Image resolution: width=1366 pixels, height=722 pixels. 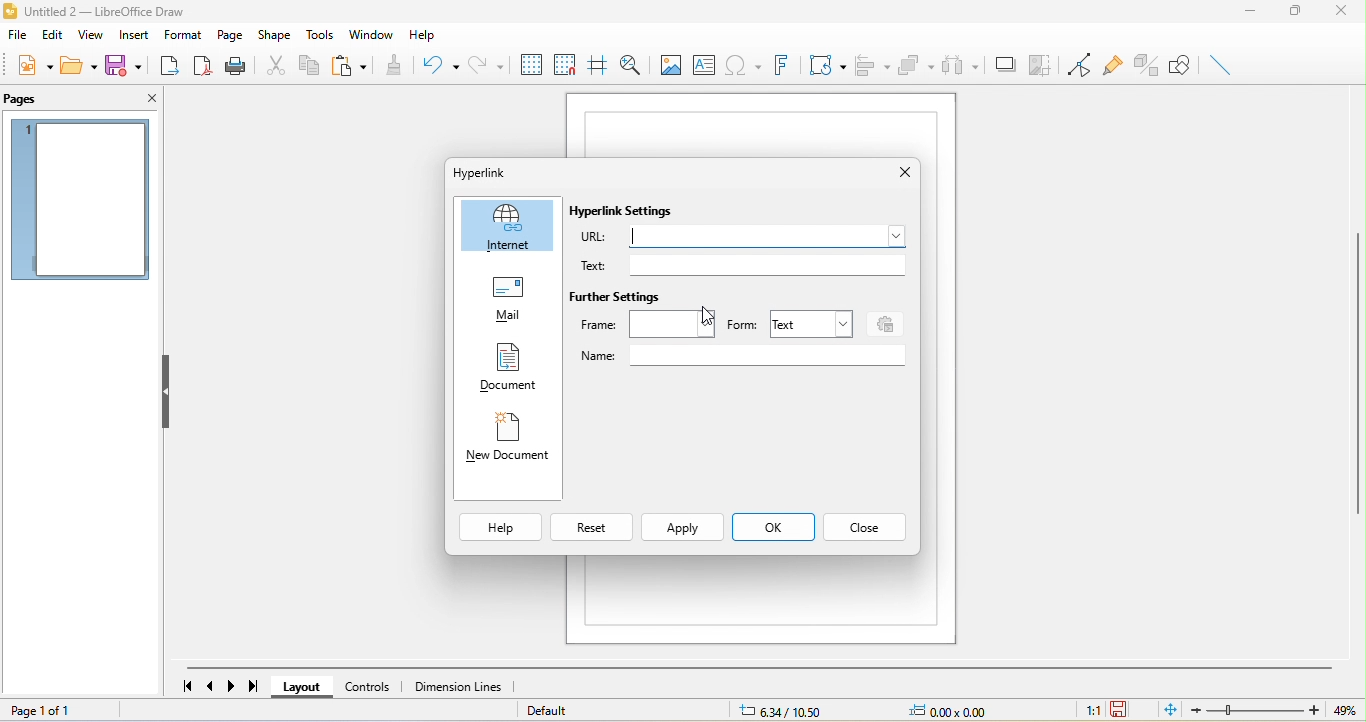 What do you see at coordinates (1346, 11) in the screenshot?
I see `close` at bounding box center [1346, 11].